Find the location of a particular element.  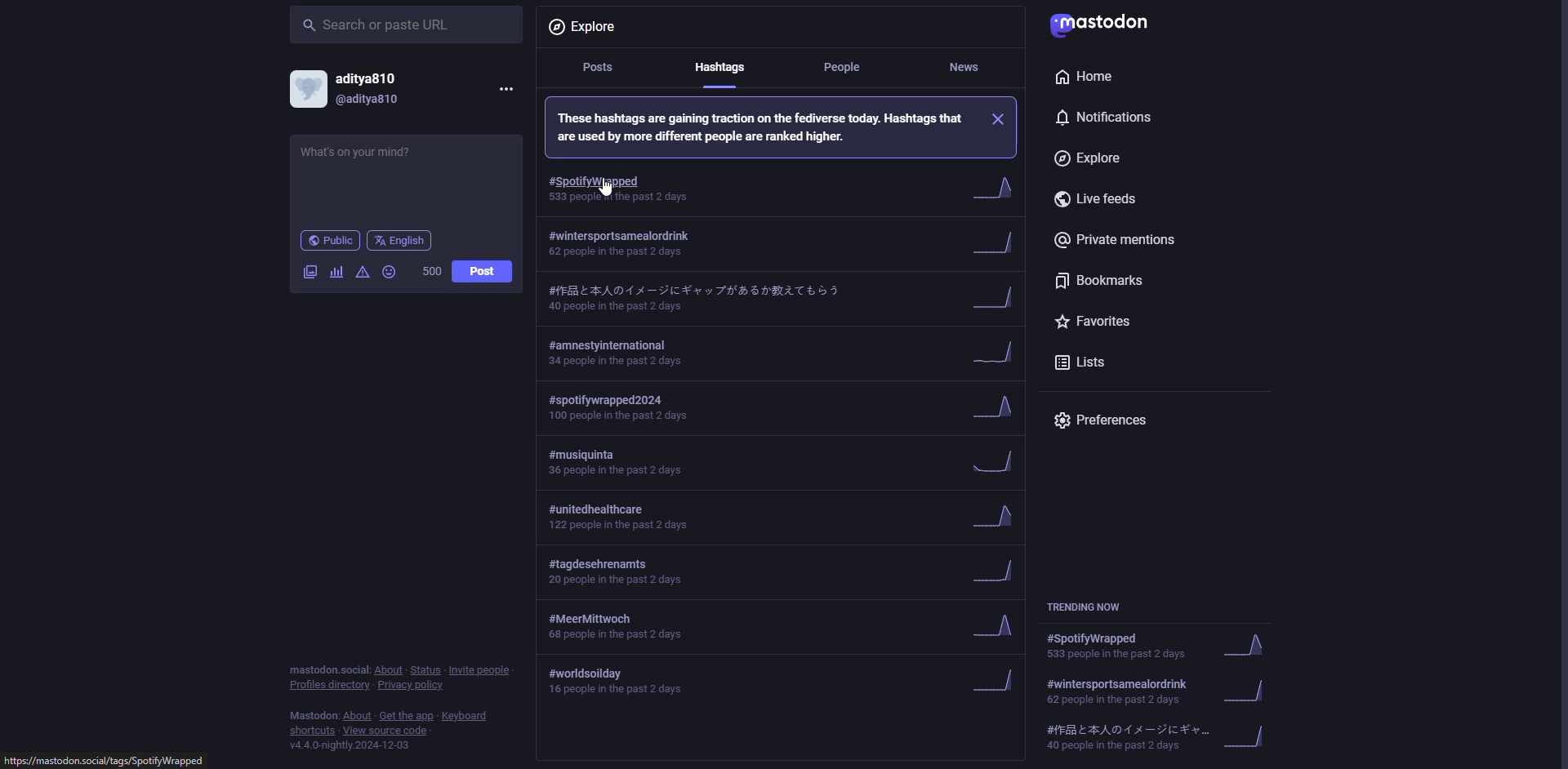

posts is located at coordinates (604, 68).